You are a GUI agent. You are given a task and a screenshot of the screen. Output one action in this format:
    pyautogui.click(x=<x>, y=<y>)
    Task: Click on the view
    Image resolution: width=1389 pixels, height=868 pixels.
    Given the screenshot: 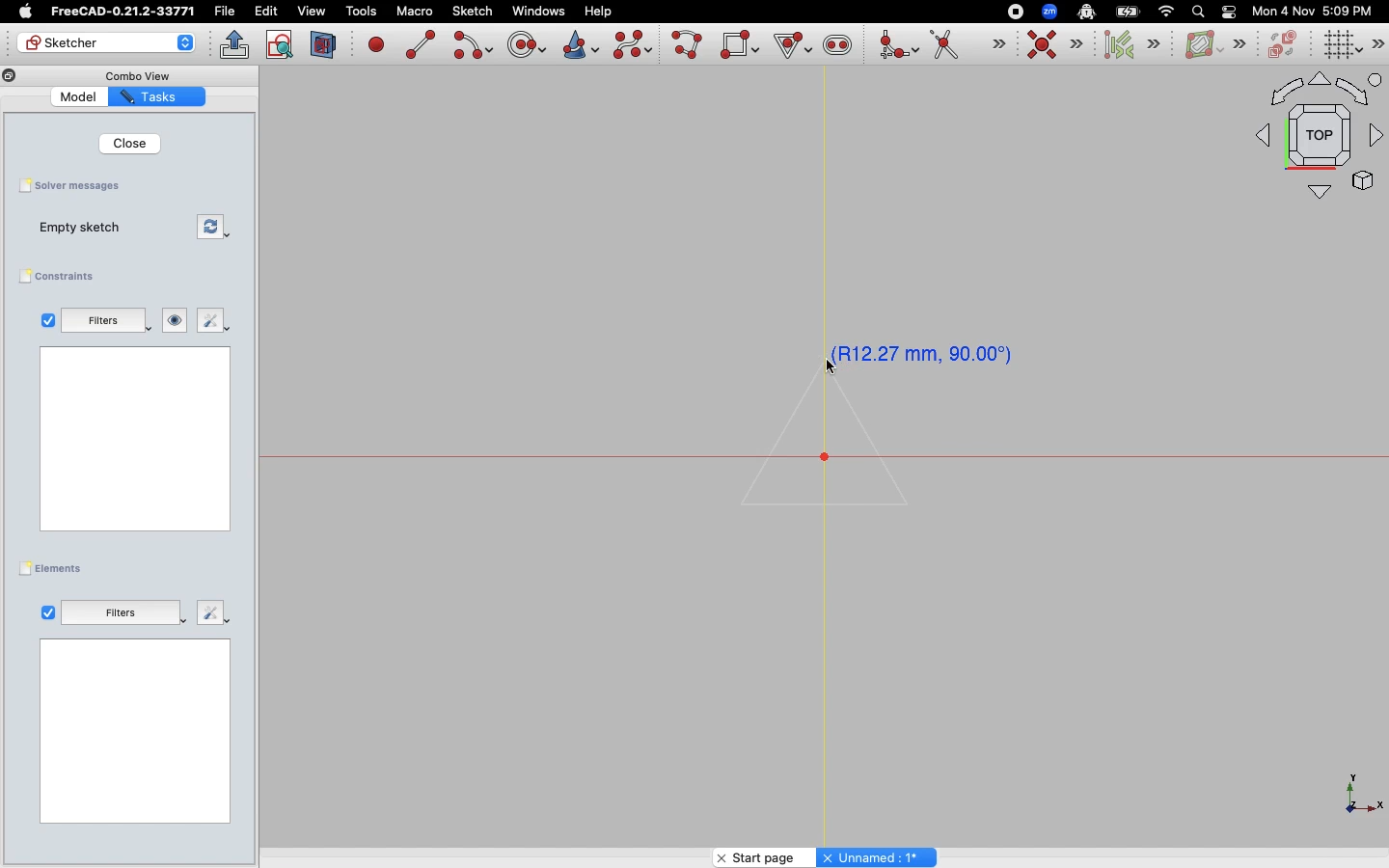 What is the action you would take?
    pyautogui.click(x=312, y=11)
    